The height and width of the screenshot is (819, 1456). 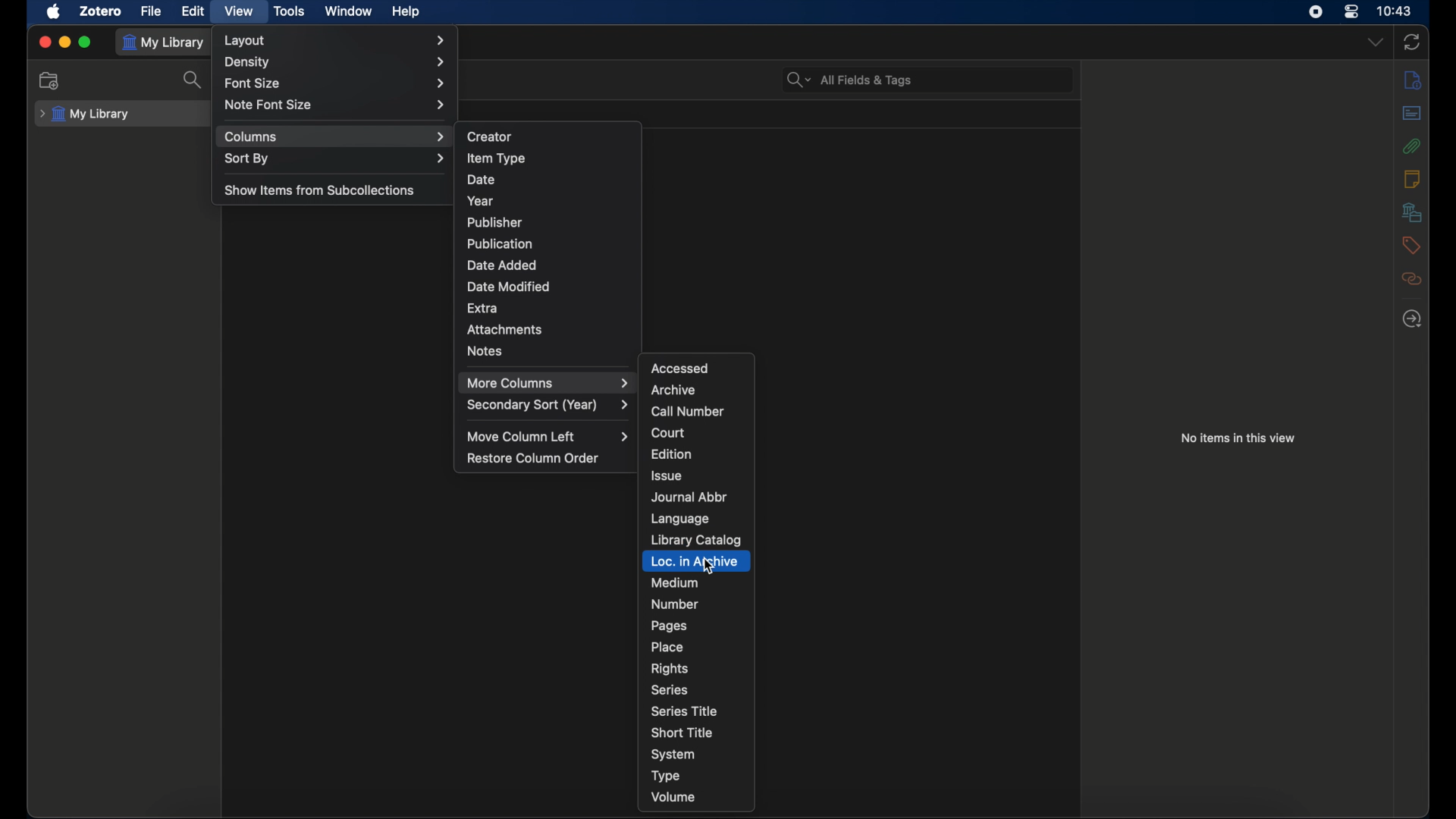 I want to click on rights, so click(x=669, y=670).